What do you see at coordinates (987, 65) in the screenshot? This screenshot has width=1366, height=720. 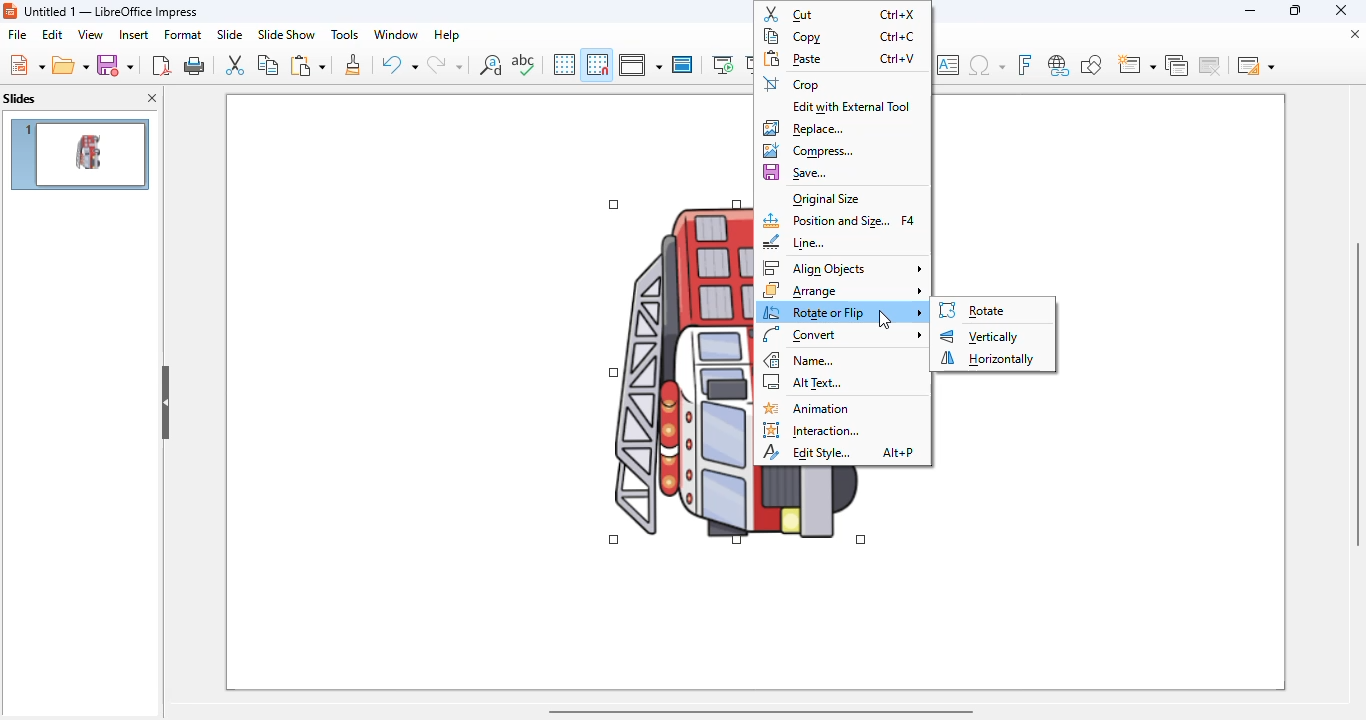 I see `insert special characters` at bounding box center [987, 65].